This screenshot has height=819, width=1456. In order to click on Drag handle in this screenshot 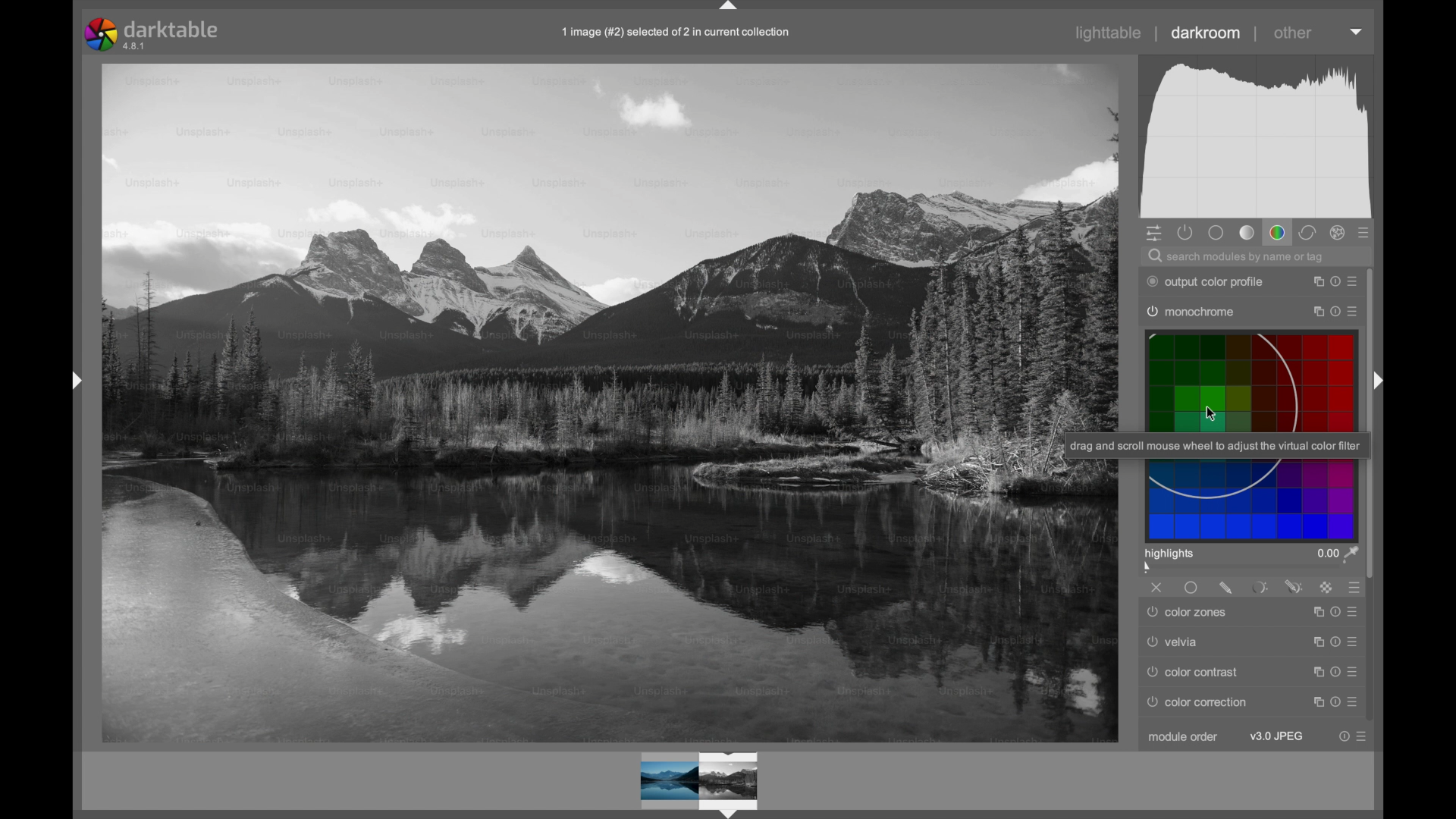, I will do `click(1380, 382)`.